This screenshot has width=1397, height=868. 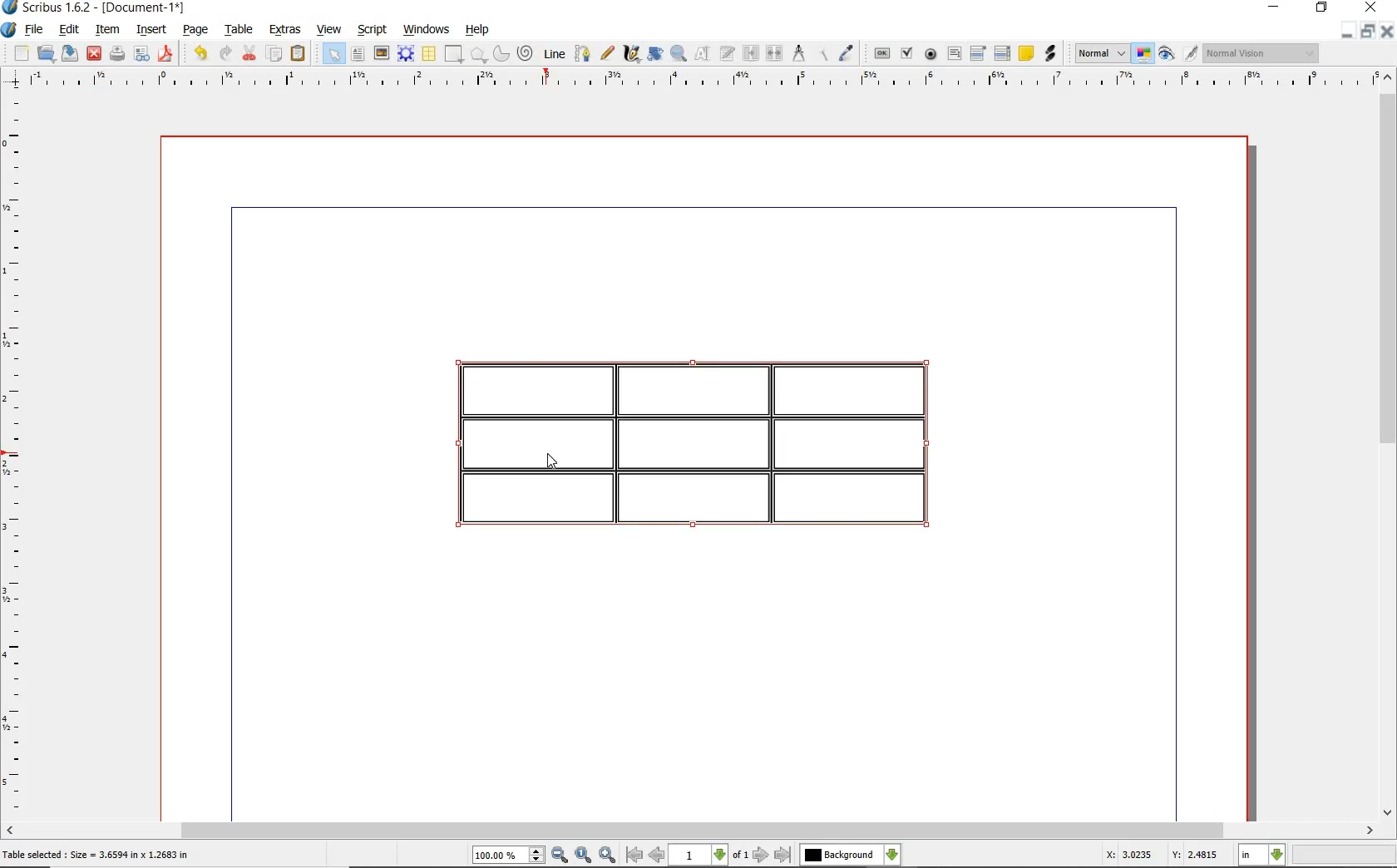 I want to click on zoom to, so click(x=583, y=855).